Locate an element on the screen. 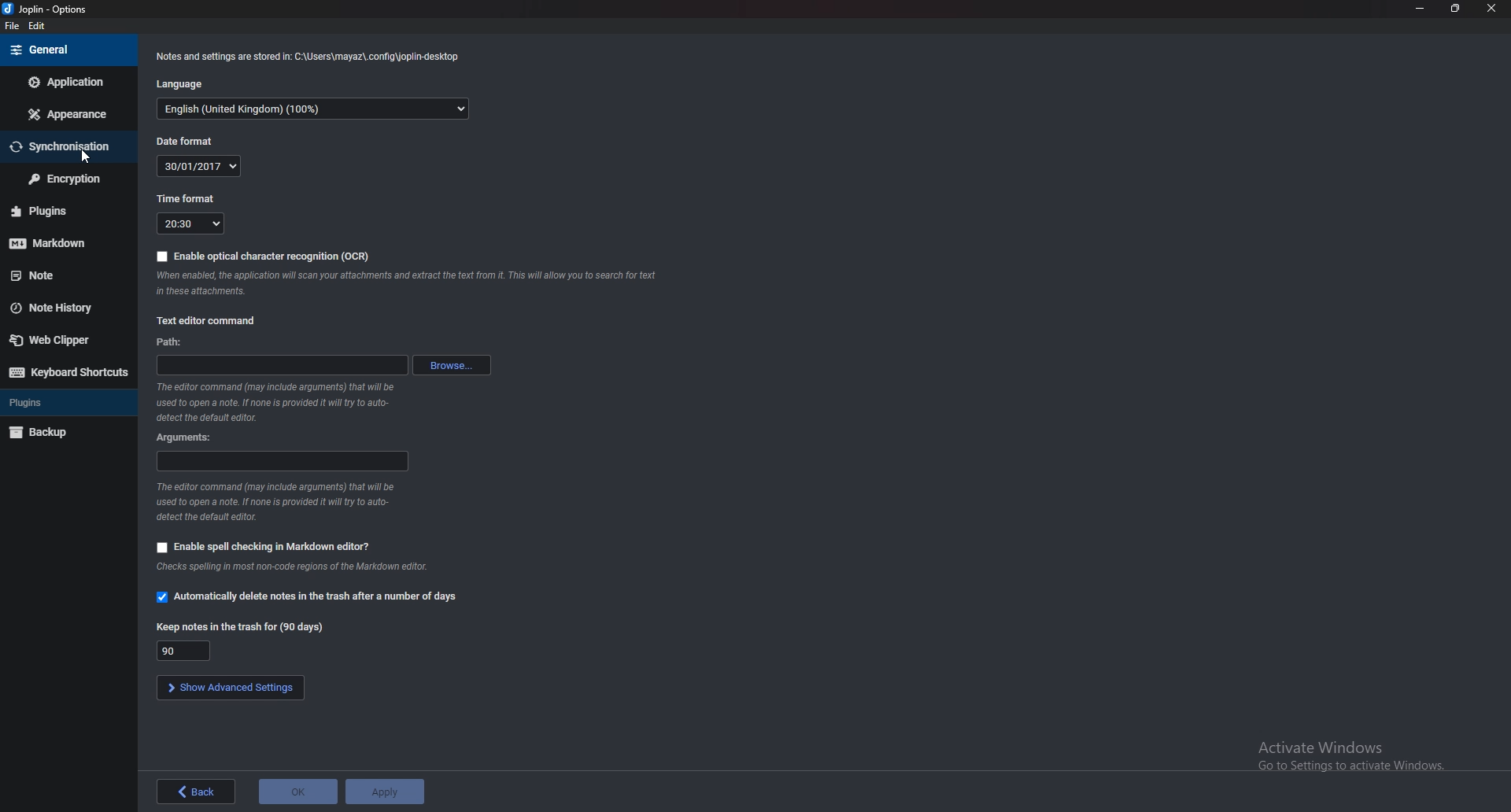  Activate Windows is located at coordinates (1345, 750).